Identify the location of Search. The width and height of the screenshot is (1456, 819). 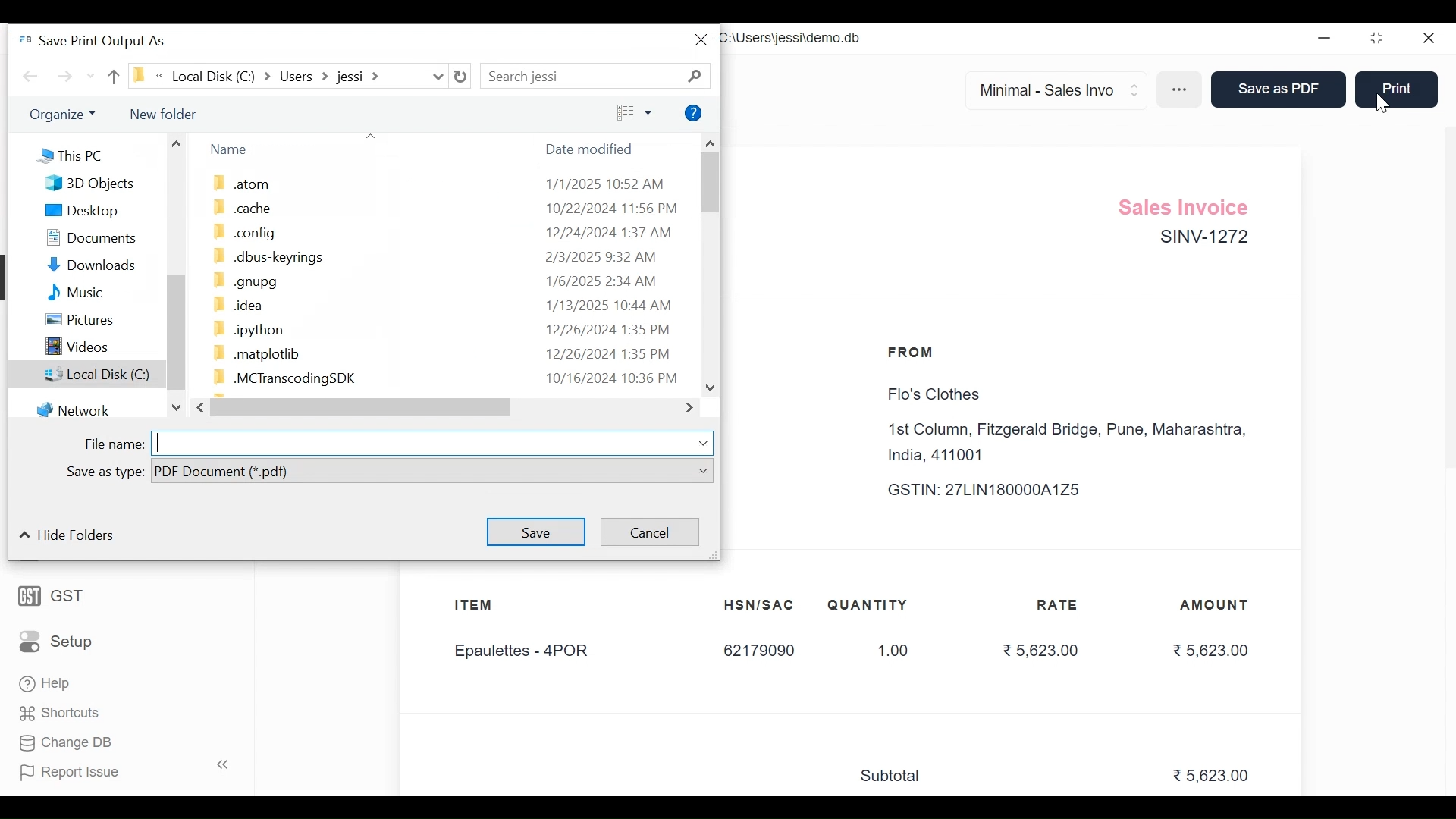
(698, 74).